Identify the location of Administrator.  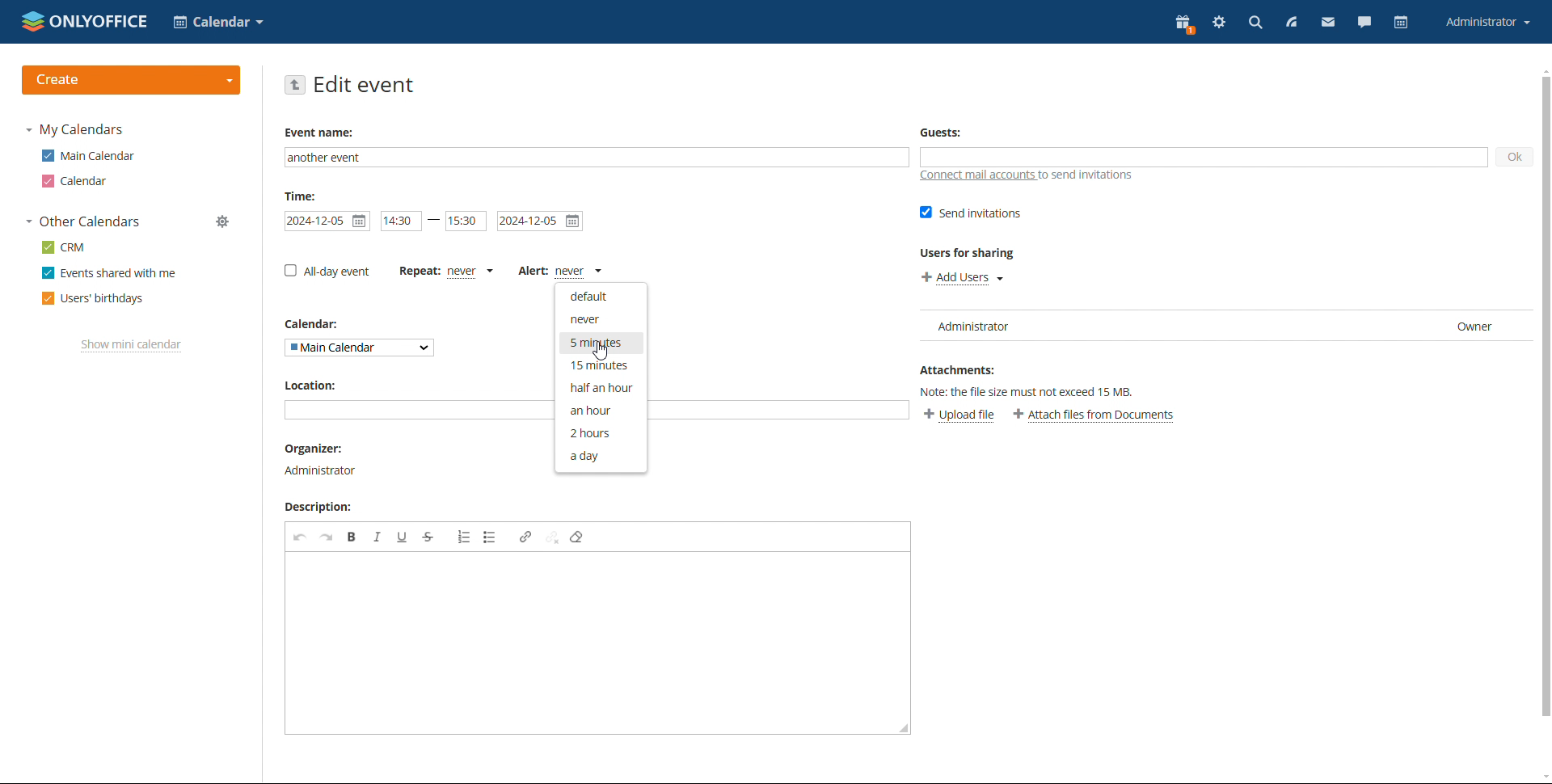
(323, 470).